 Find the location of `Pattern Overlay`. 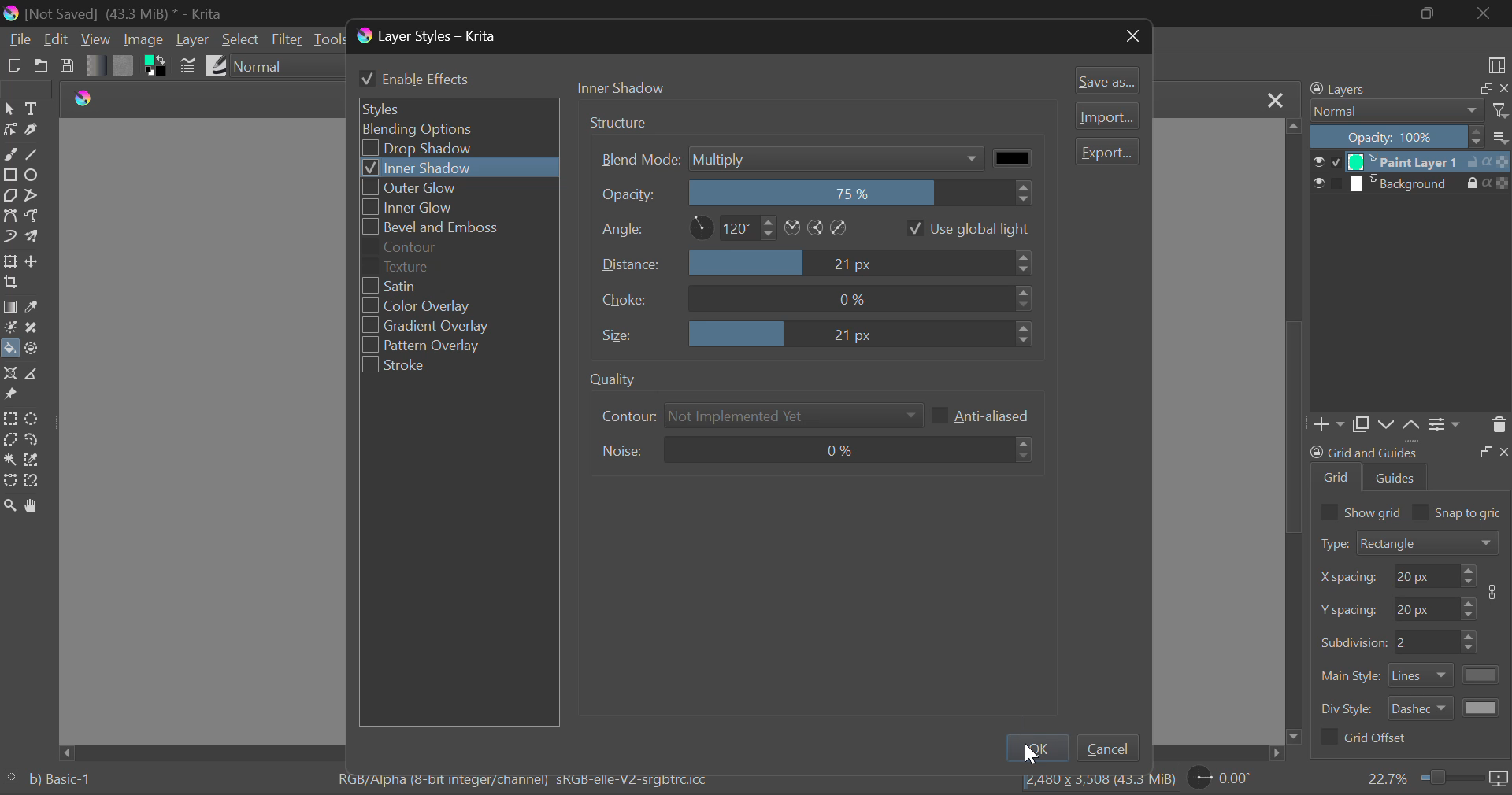

Pattern Overlay is located at coordinates (441, 347).